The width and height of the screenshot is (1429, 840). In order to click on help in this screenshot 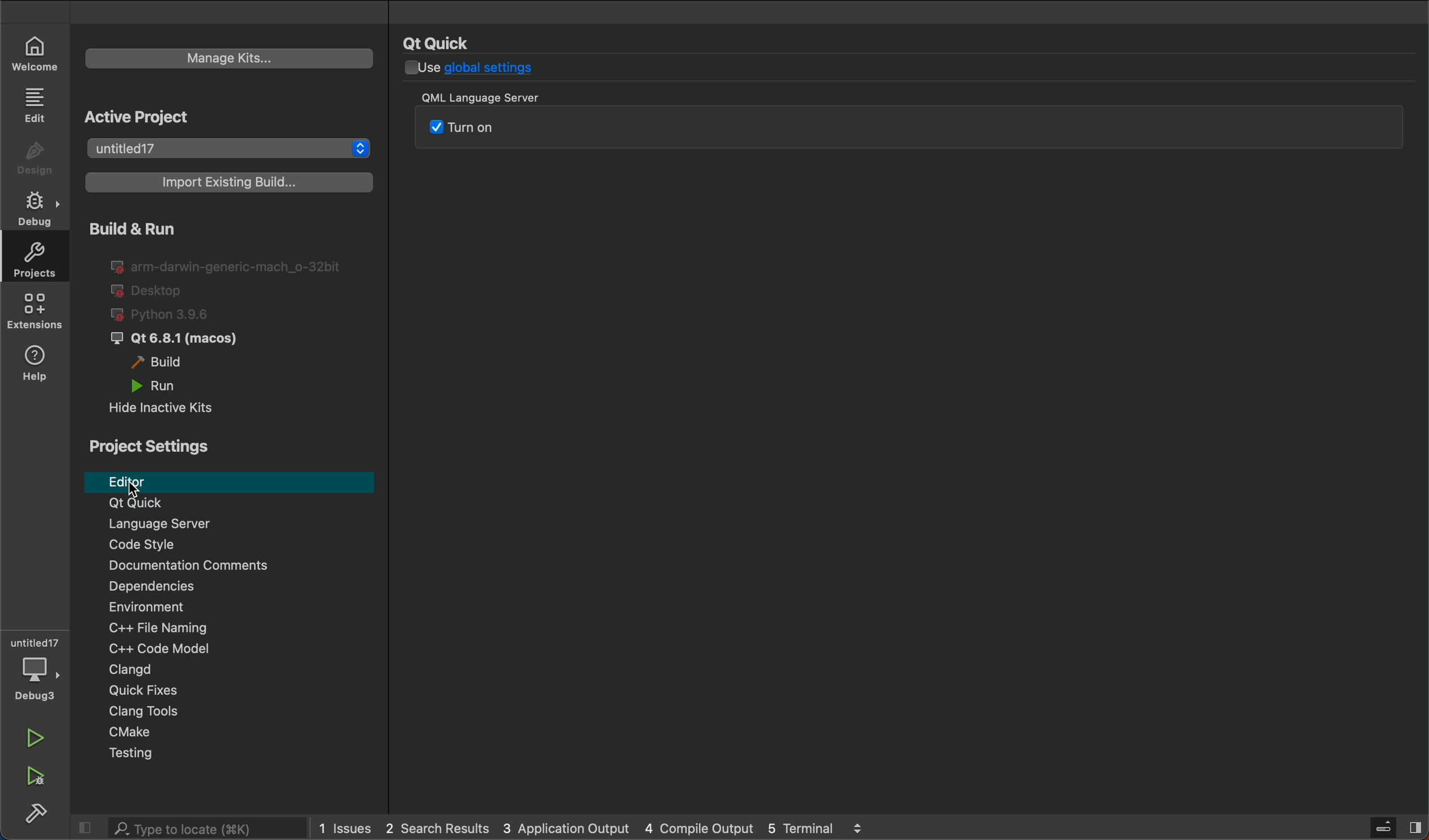, I will do `click(39, 367)`.